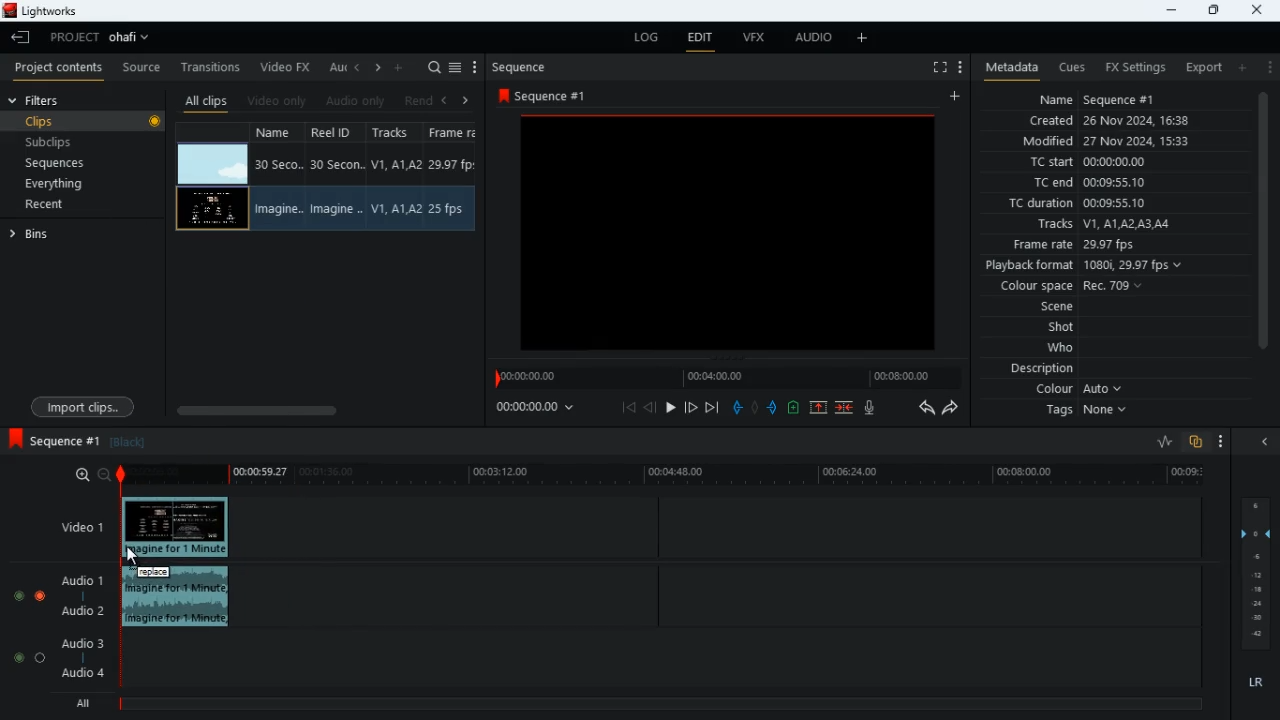  I want to click on more, so click(1216, 440).